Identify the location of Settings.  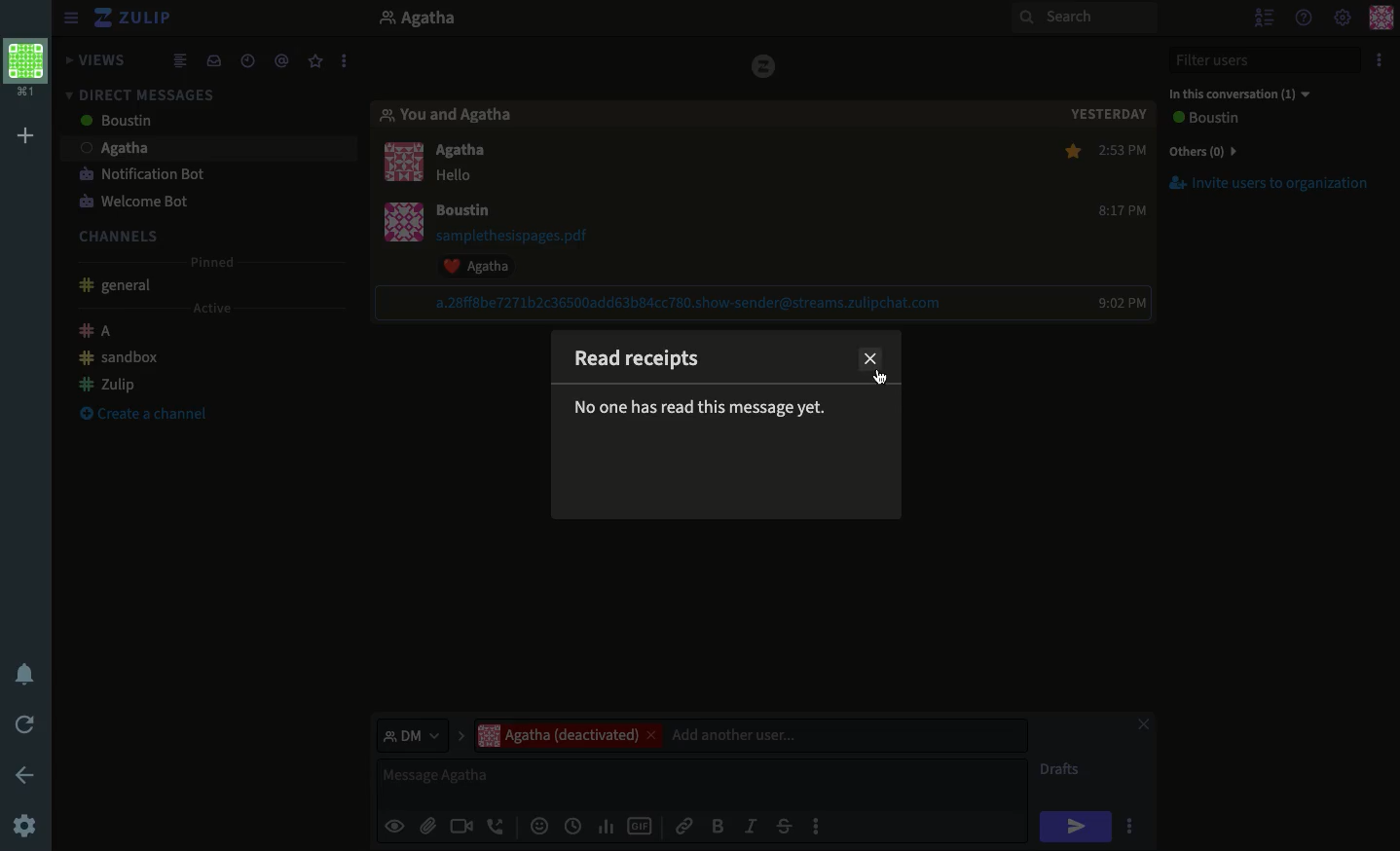
(1344, 16).